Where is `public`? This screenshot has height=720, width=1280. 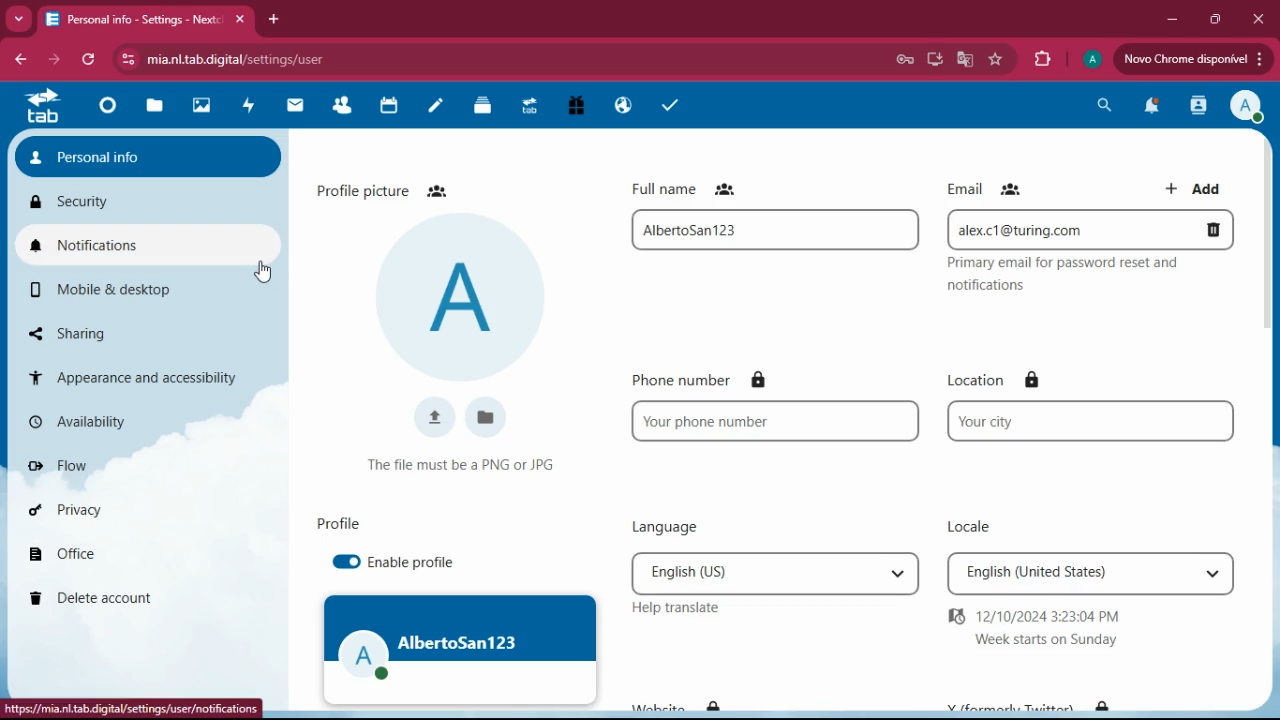
public is located at coordinates (624, 106).